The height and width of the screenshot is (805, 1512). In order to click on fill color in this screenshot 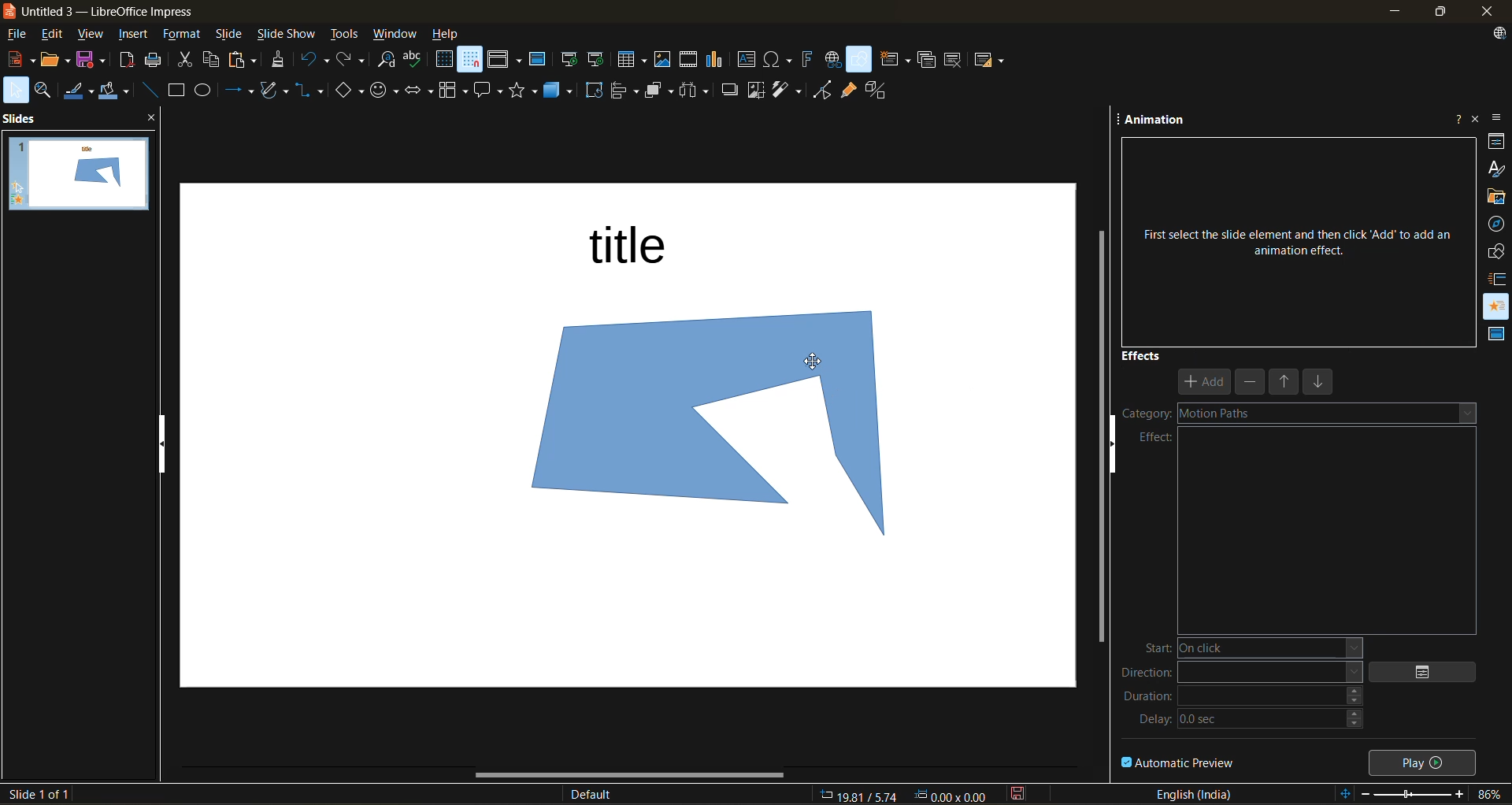, I will do `click(117, 94)`.